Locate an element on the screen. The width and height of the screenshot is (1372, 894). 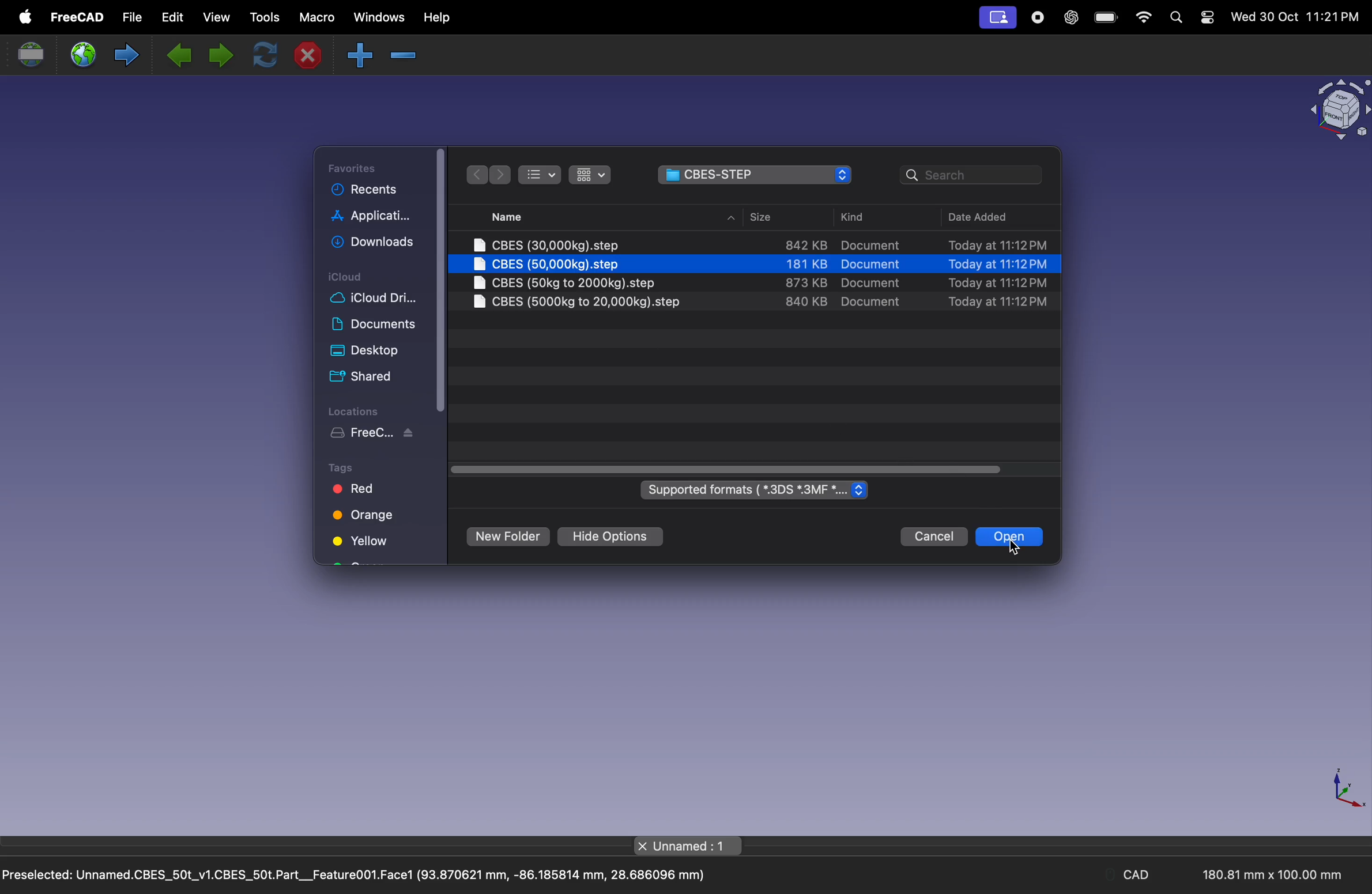
CAD is located at coordinates (1137, 876).